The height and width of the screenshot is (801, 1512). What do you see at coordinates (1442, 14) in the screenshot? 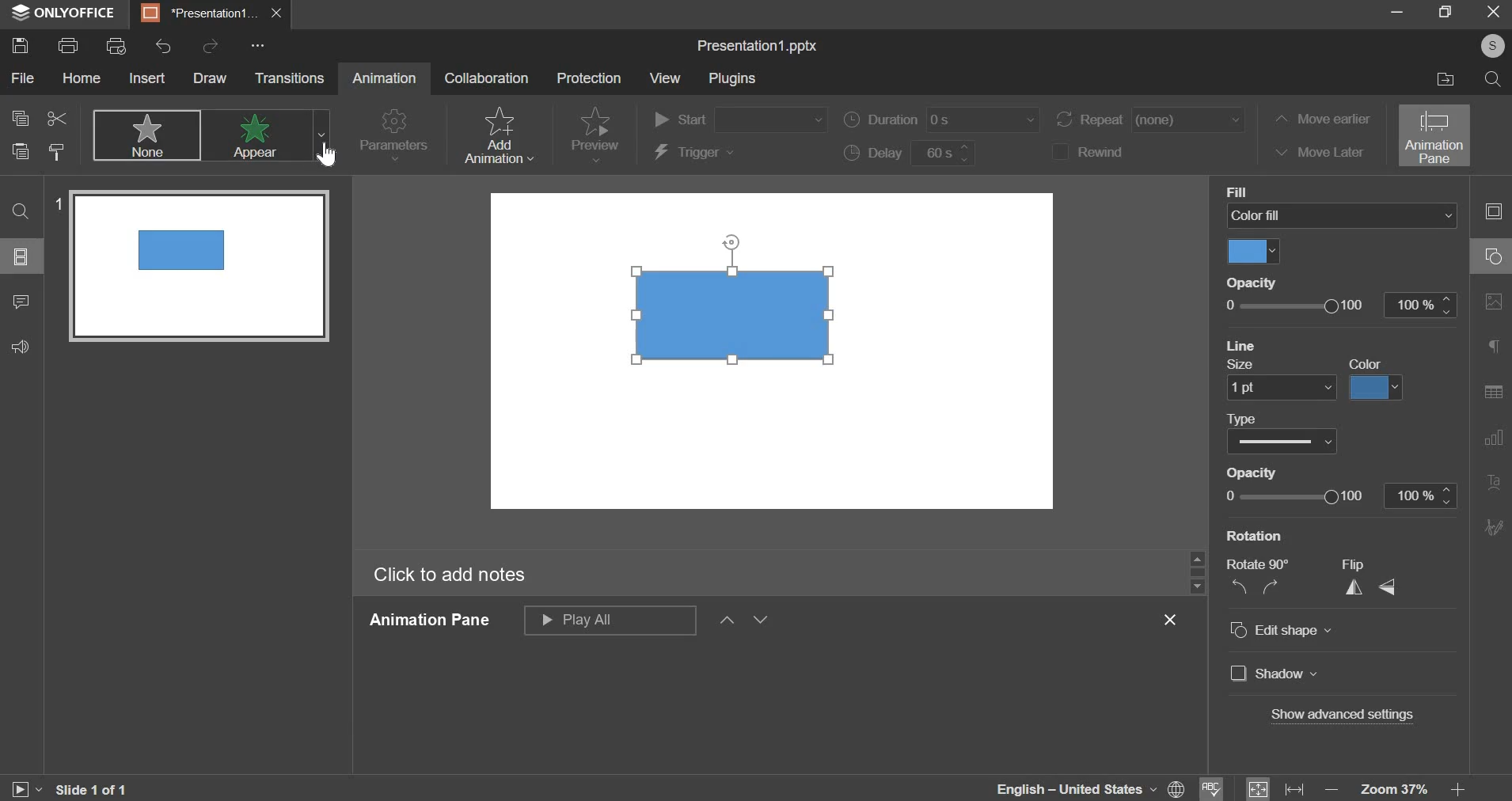
I see `maximize` at bounding box center [1442, 14].